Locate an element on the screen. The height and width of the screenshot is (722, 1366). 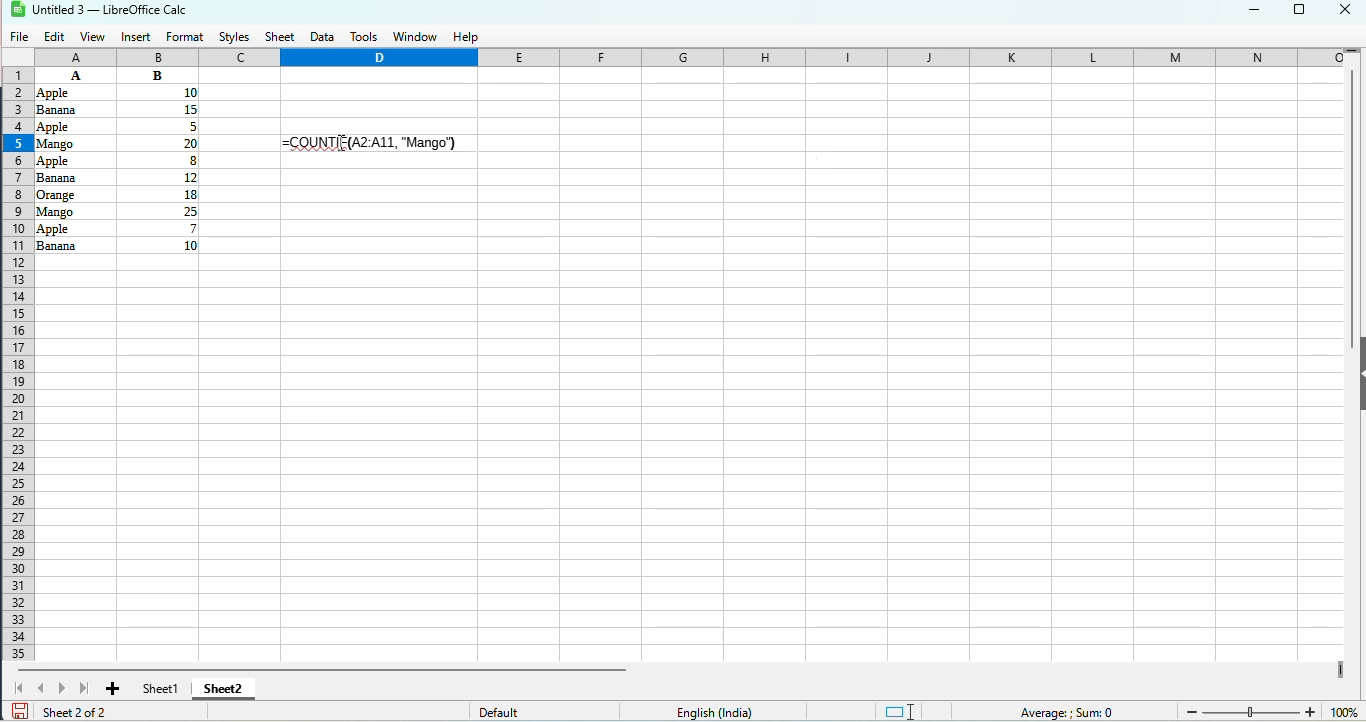
scroll to previous sheet is located at coordinates (41, 689).